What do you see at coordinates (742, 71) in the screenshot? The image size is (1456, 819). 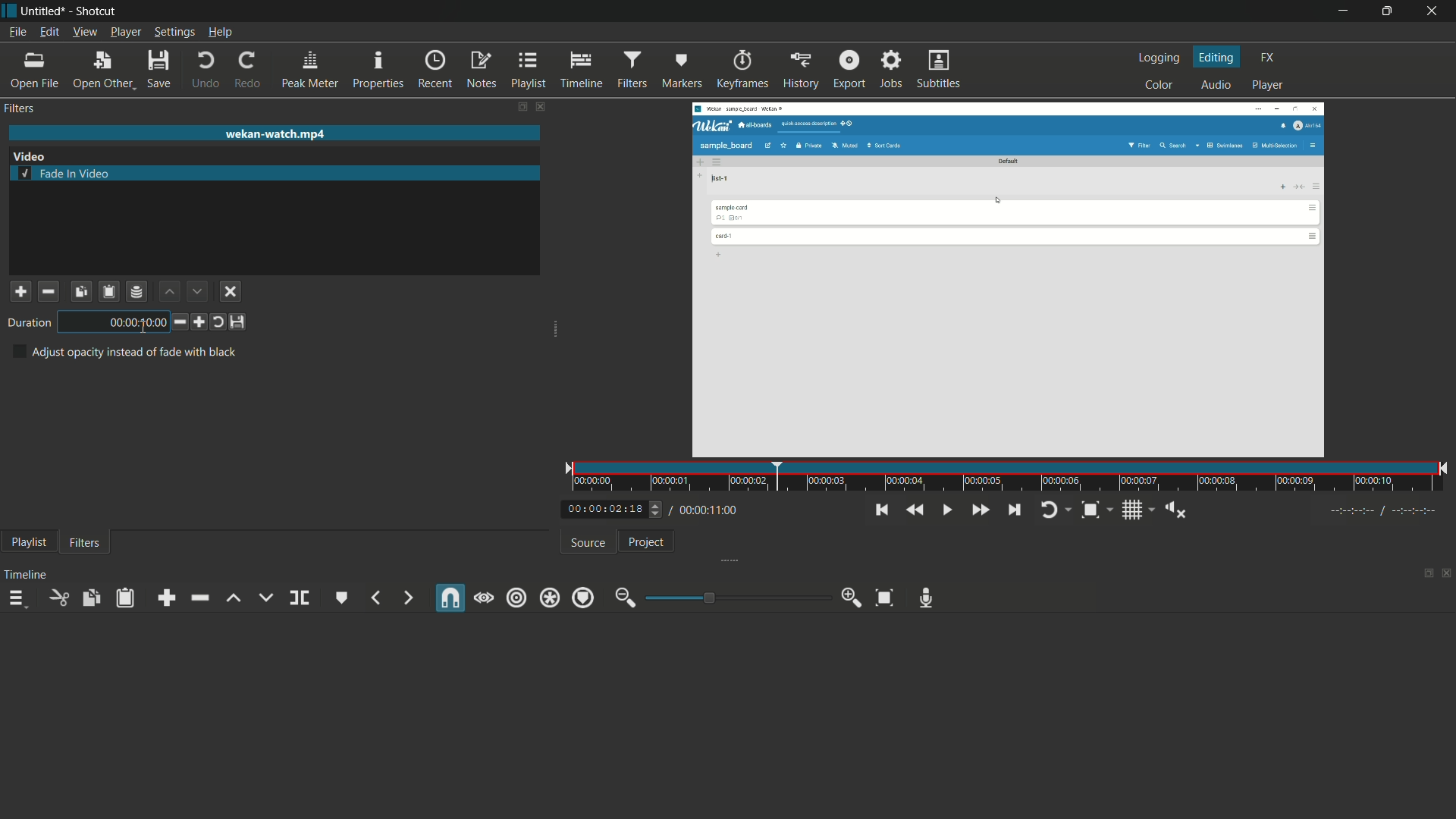 I see `keyframes` at bounding box center [742, 71].